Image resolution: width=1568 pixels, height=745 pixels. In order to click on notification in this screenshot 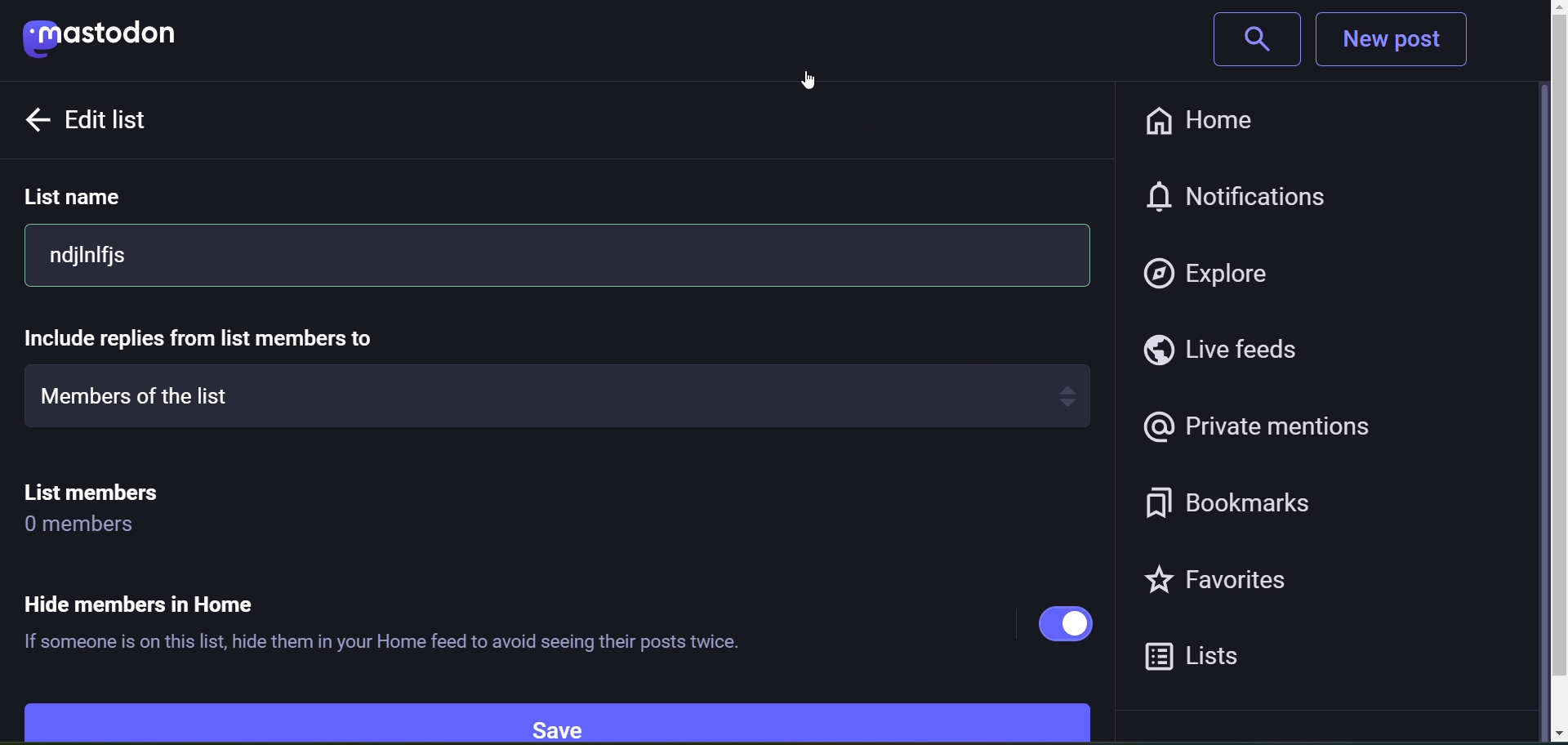, I will do `click(1258, 193)`.